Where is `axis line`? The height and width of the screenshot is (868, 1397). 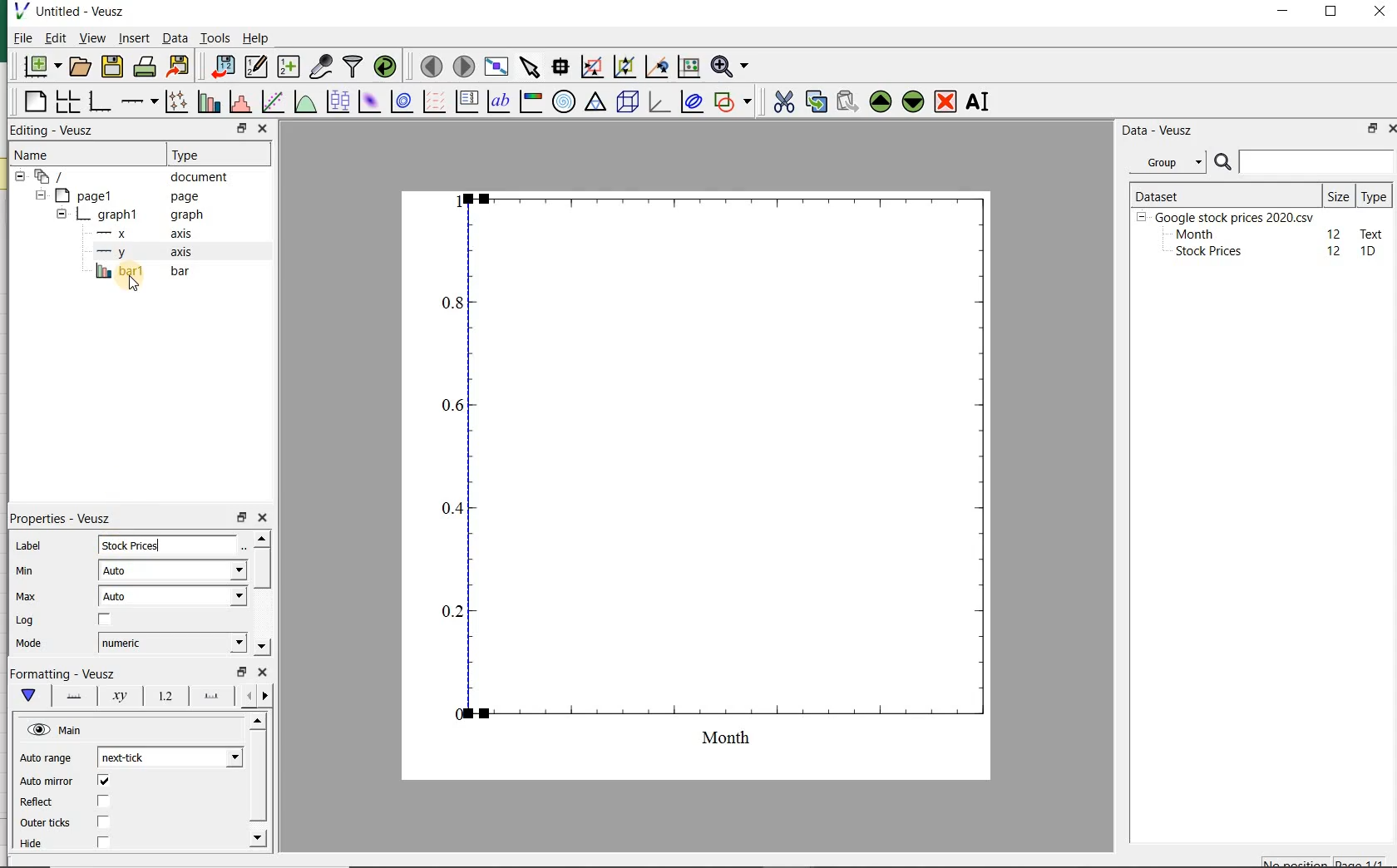
axis line is located at coordinates (70, 695).